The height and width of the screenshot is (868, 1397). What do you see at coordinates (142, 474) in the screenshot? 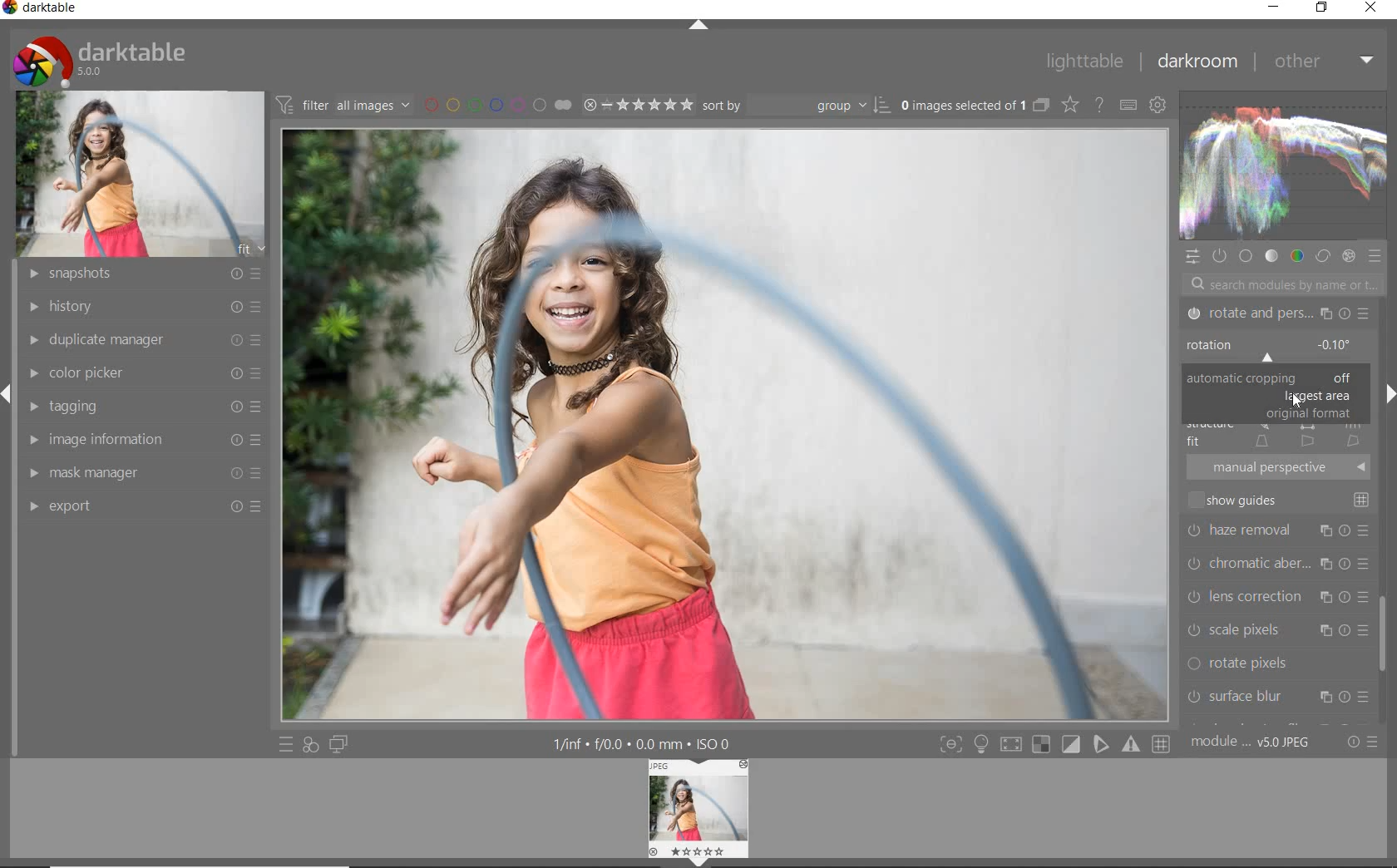
I see `mask manager` at bounding box center [142, 474].